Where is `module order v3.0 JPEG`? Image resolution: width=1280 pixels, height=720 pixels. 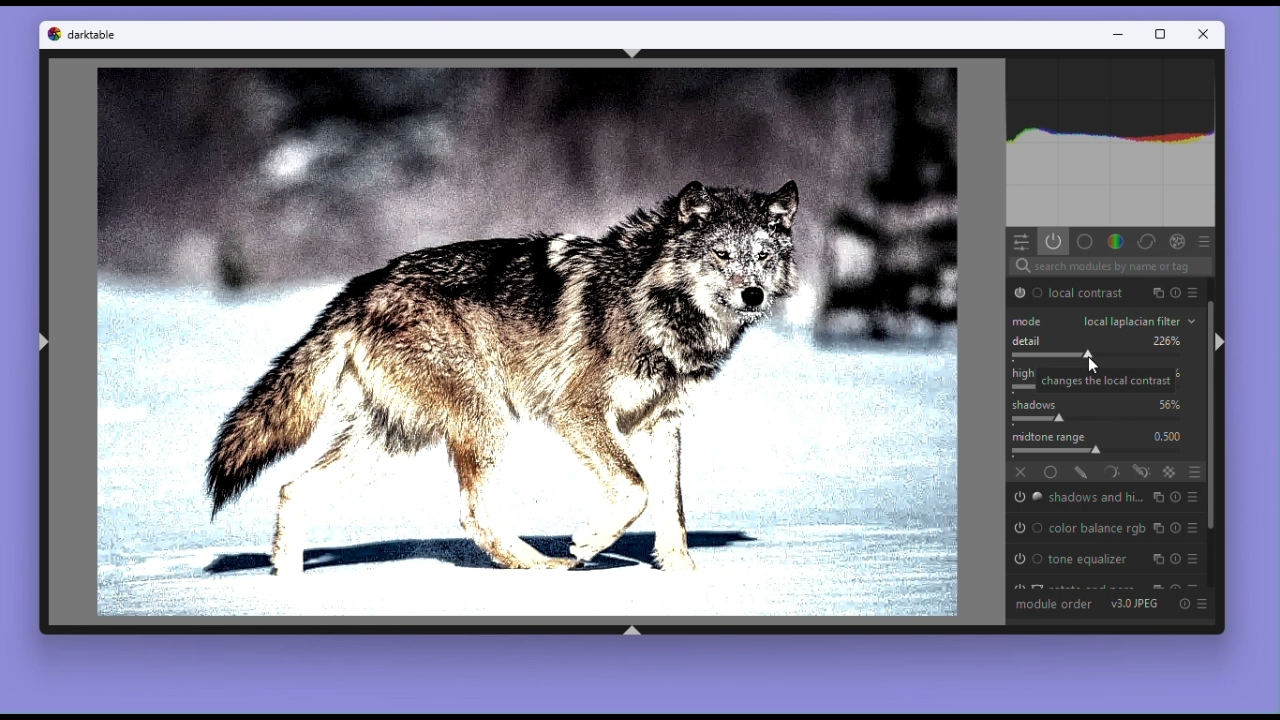
module order v3.0 JPEG is located at coordinates (1090, 605).